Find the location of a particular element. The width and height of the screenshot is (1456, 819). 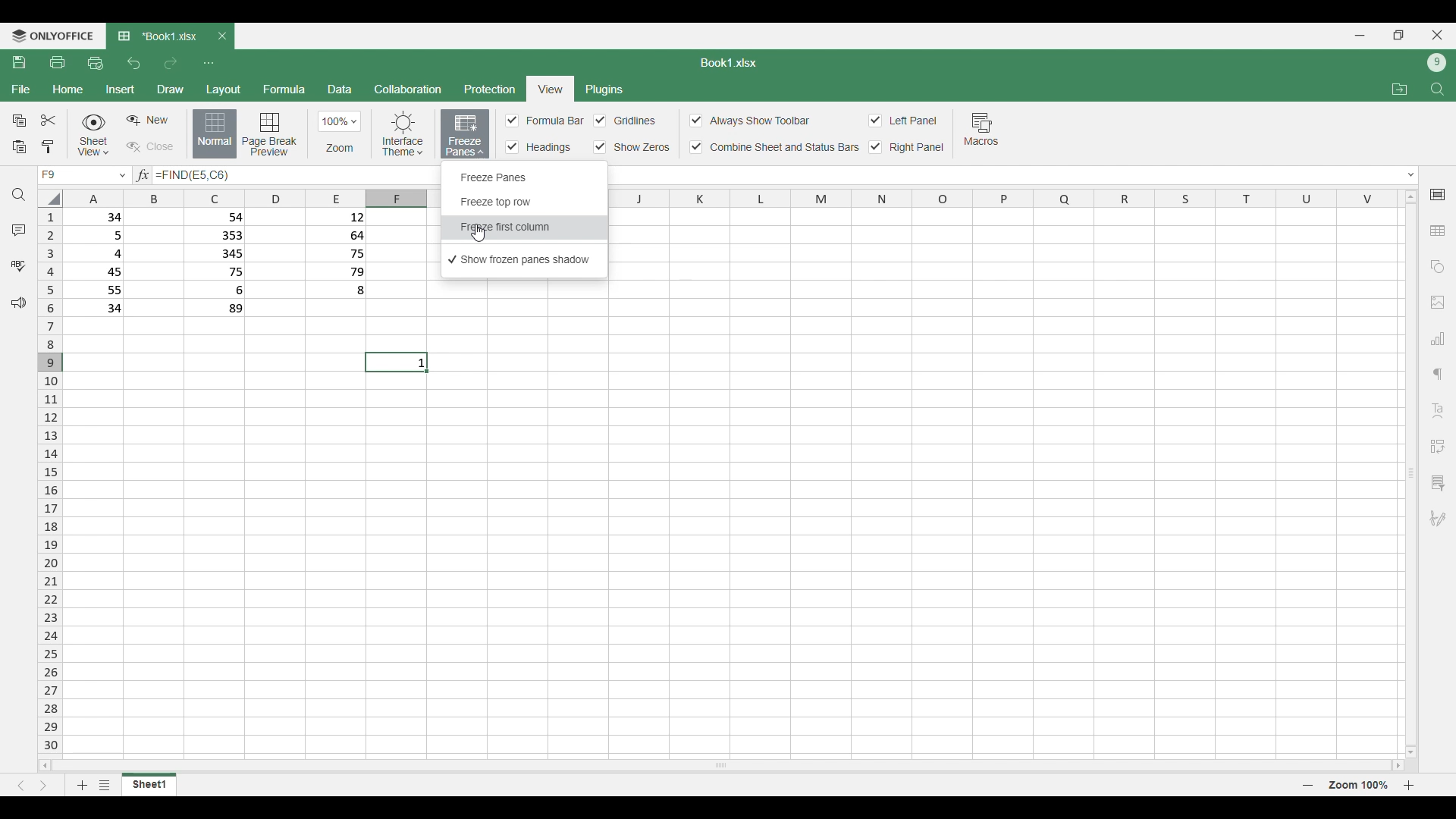

List of sheets is located at coordinates (106, 784).